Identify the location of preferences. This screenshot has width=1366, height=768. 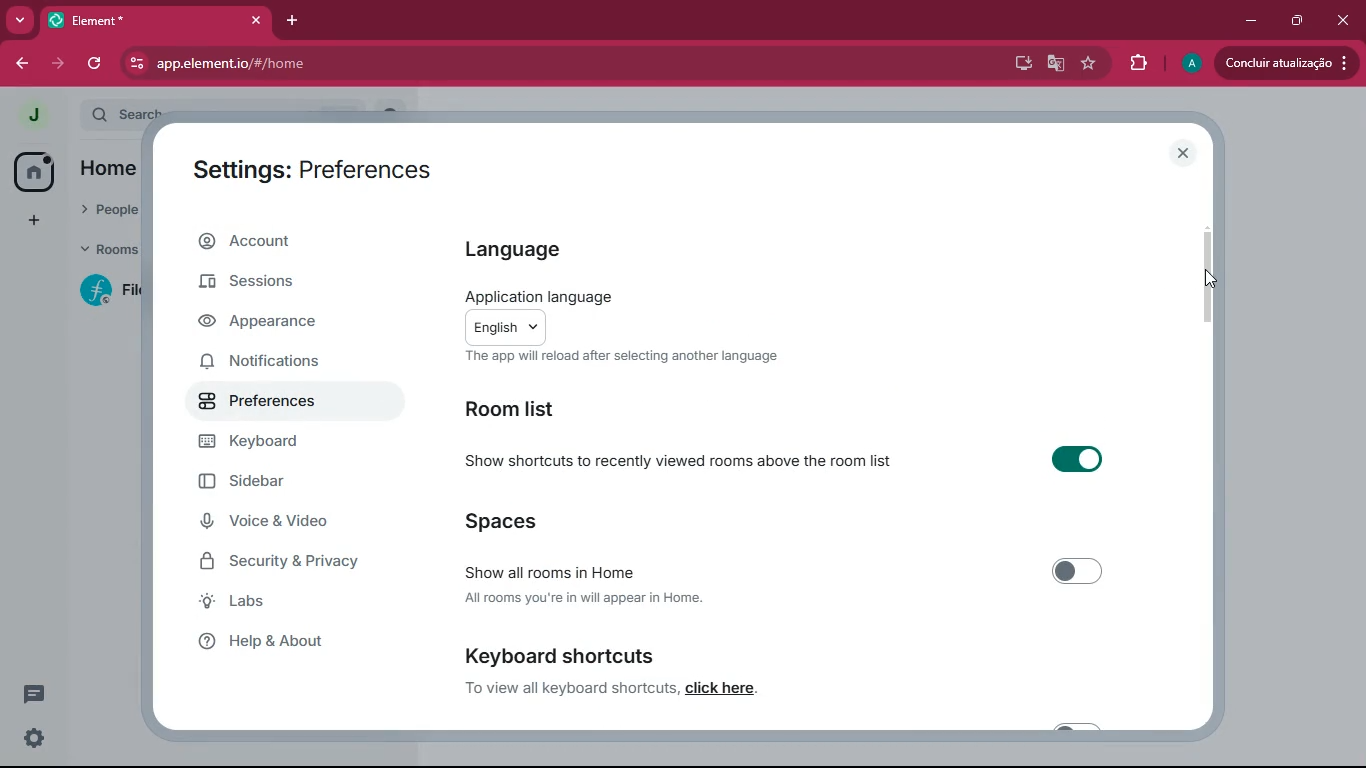
(277, 405).